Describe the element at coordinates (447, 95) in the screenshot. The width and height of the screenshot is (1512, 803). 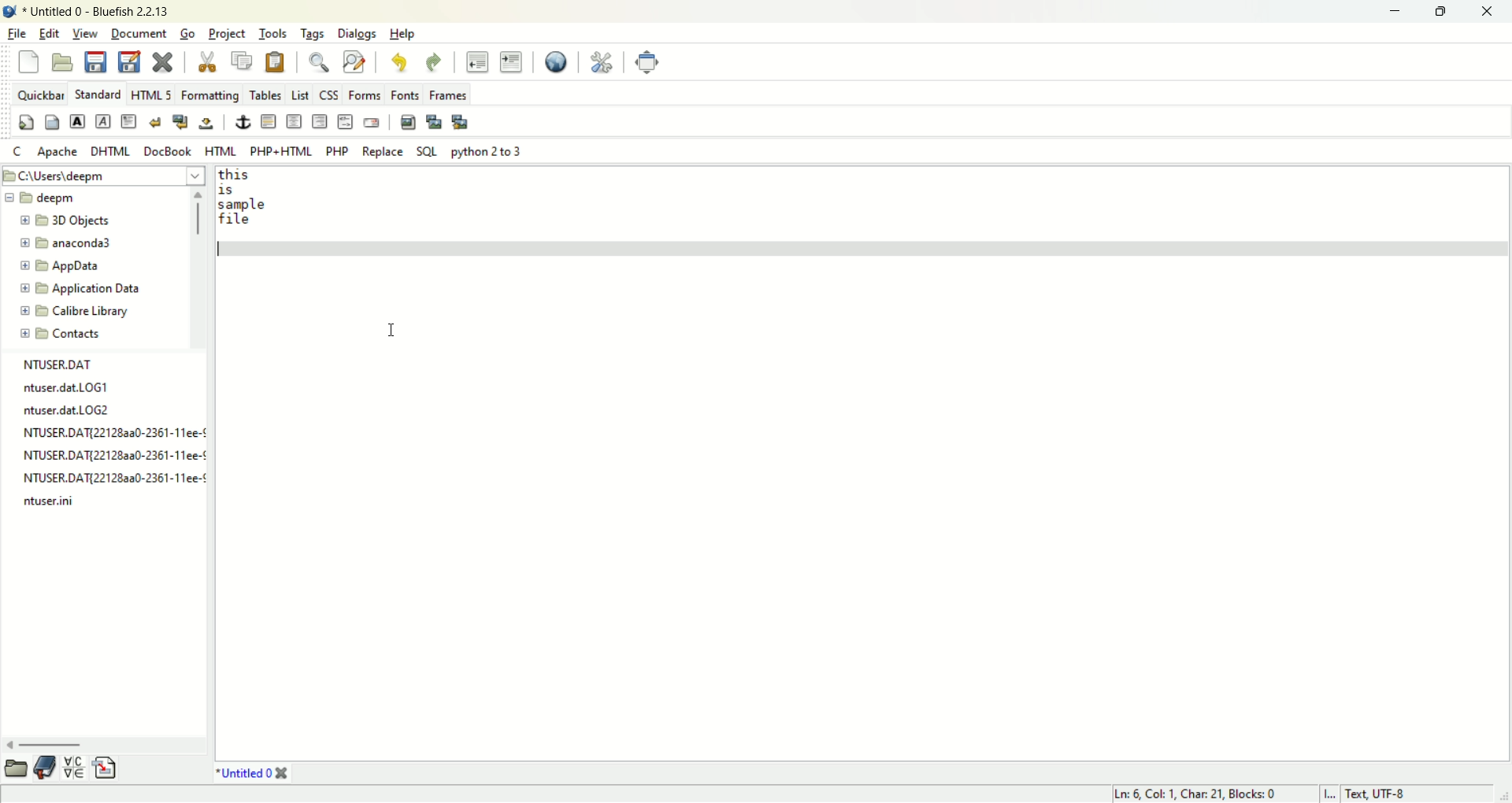
I see `frames` at that location.